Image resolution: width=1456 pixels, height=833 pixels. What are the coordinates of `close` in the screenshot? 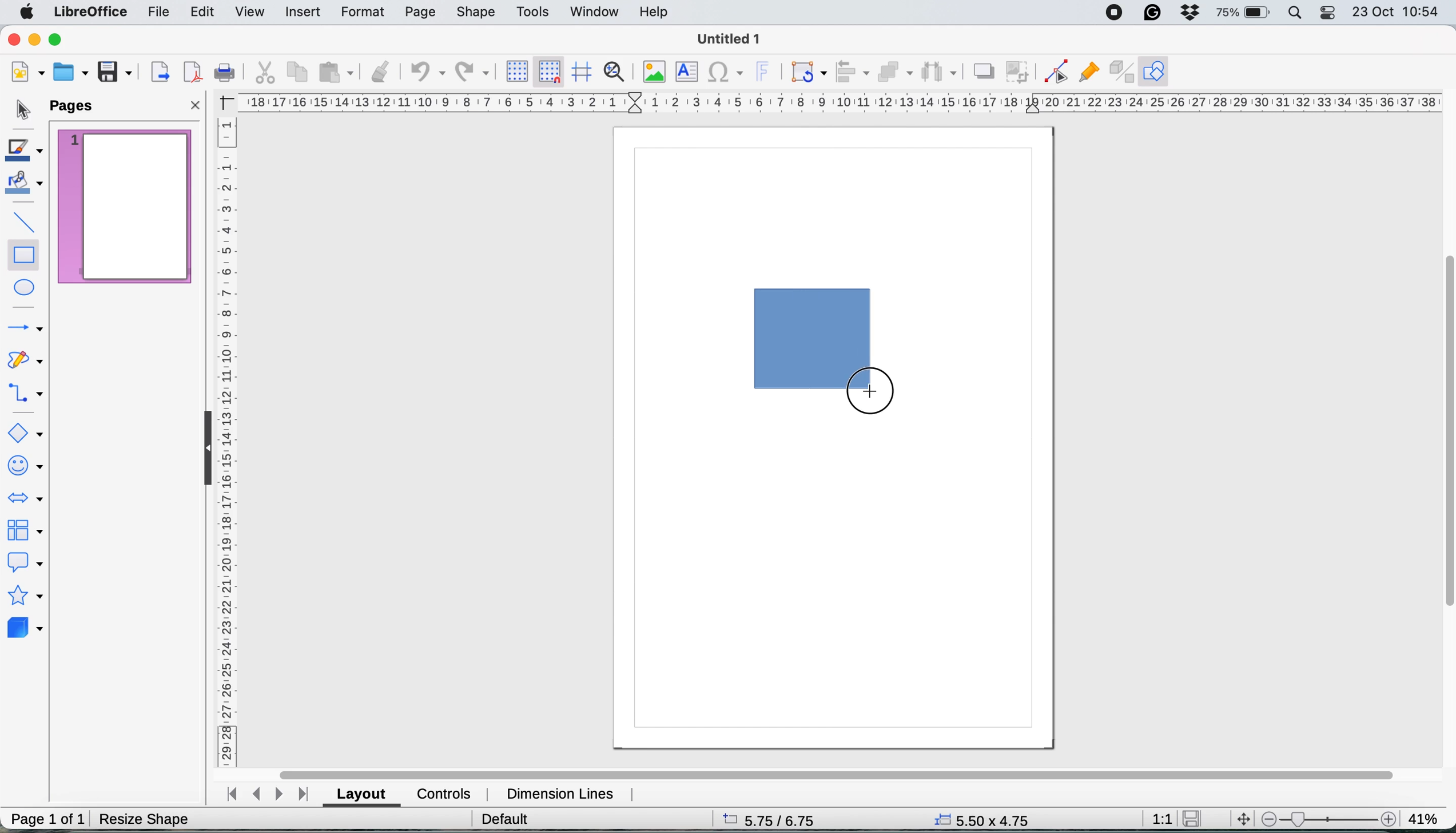 It's located at (14, 39).